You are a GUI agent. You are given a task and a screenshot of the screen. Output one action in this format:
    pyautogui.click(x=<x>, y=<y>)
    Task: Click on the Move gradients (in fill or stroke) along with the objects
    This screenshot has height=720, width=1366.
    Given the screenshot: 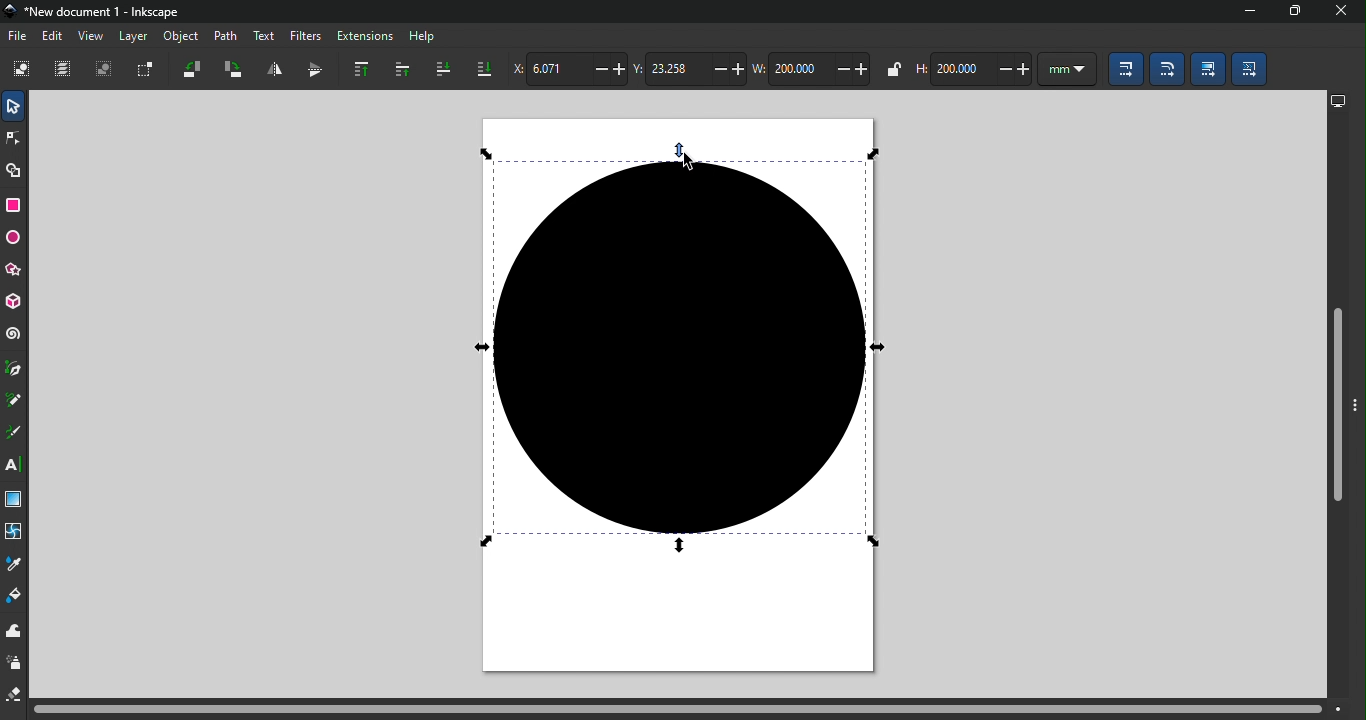 What is the action you would take?
    pyautogui.click(x=1209, y=70)
    